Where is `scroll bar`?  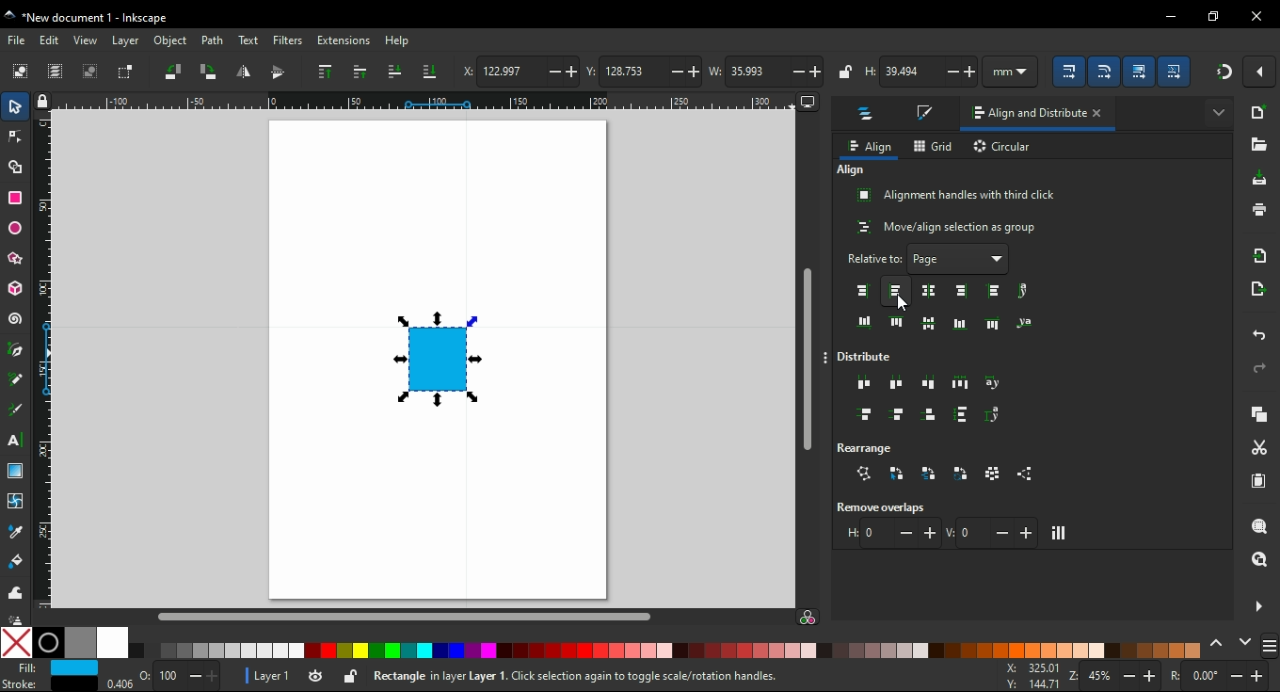
scroll bar is located at coordinates (418, 616).